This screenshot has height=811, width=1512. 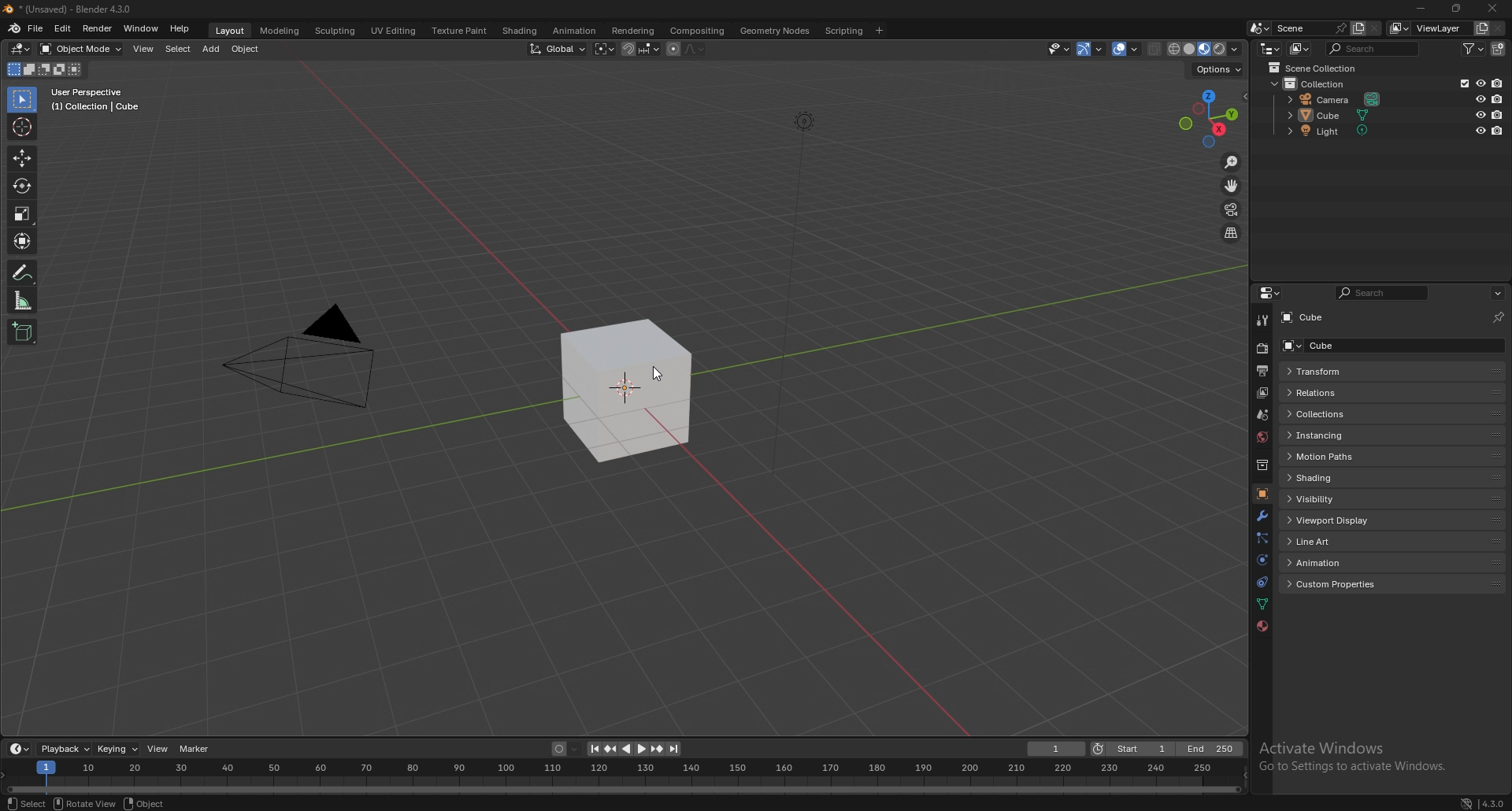 I want to click on collection, so click(x=1261, y=465).